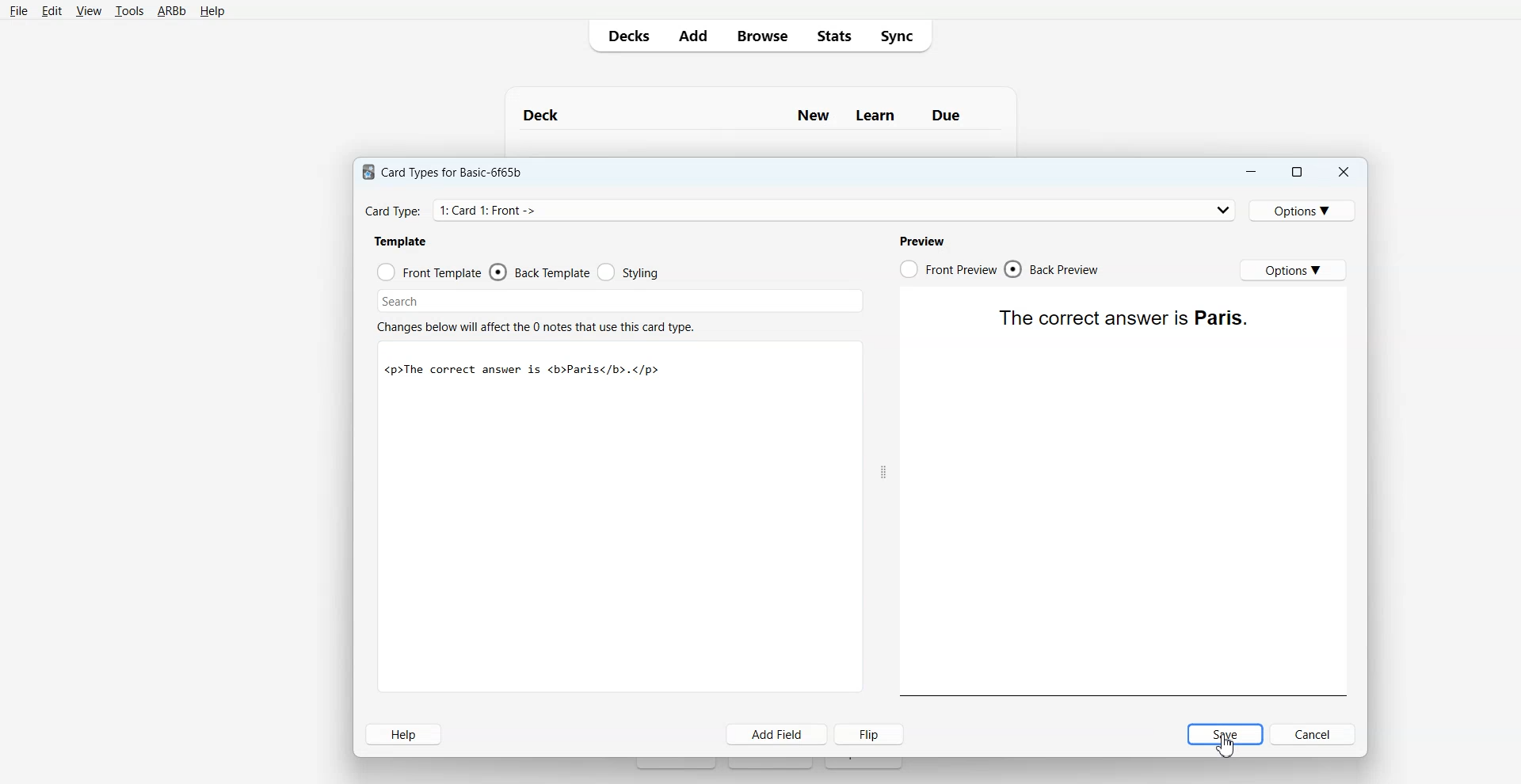 Image resolution: width=1521 pixels, height=784 pixels. What do you see at coordinates (799, 209) in the screenshot?
I see `Card Type` at bounding box center [799, 209].